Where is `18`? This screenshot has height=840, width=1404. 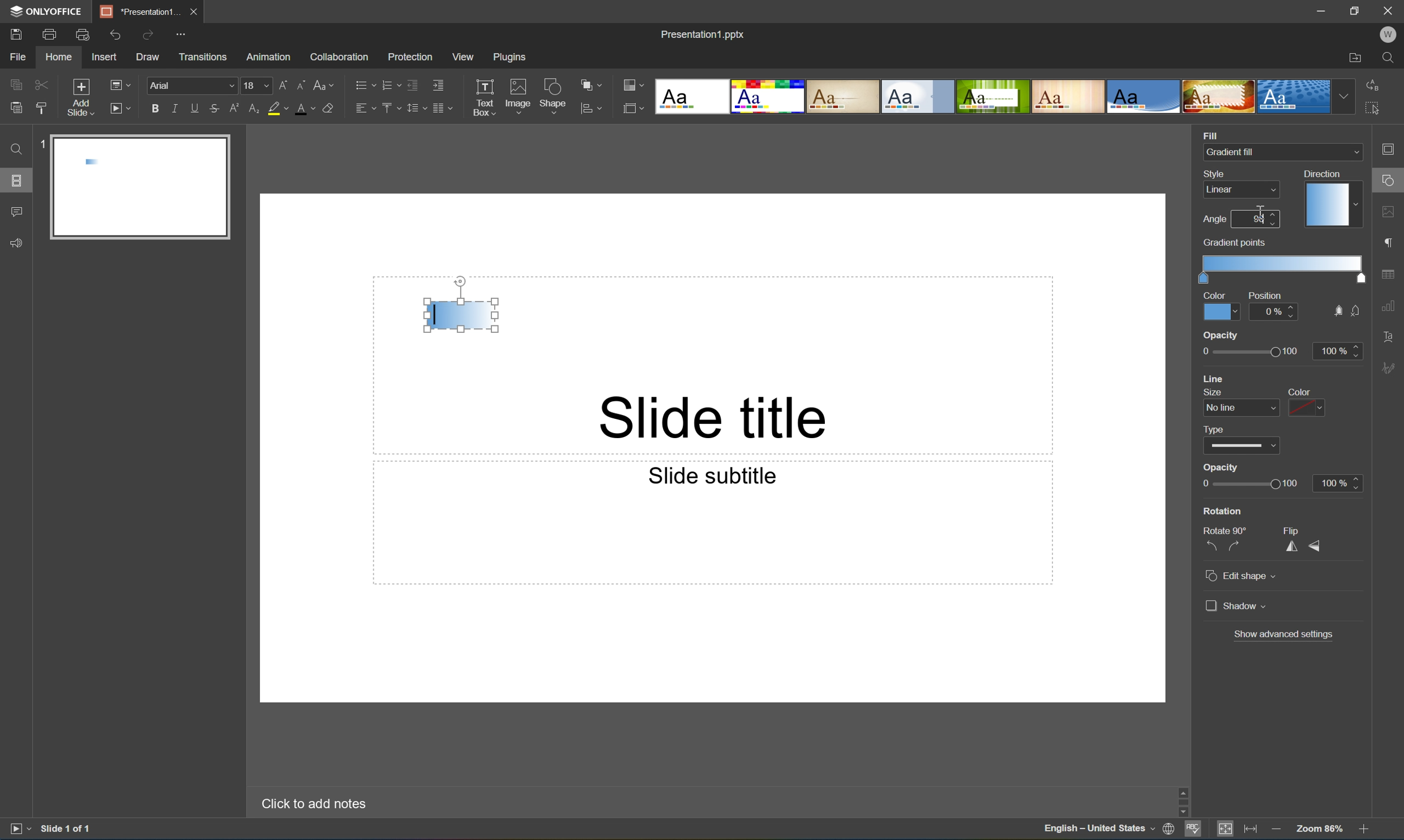
18 is located at coordinates (257, 85).